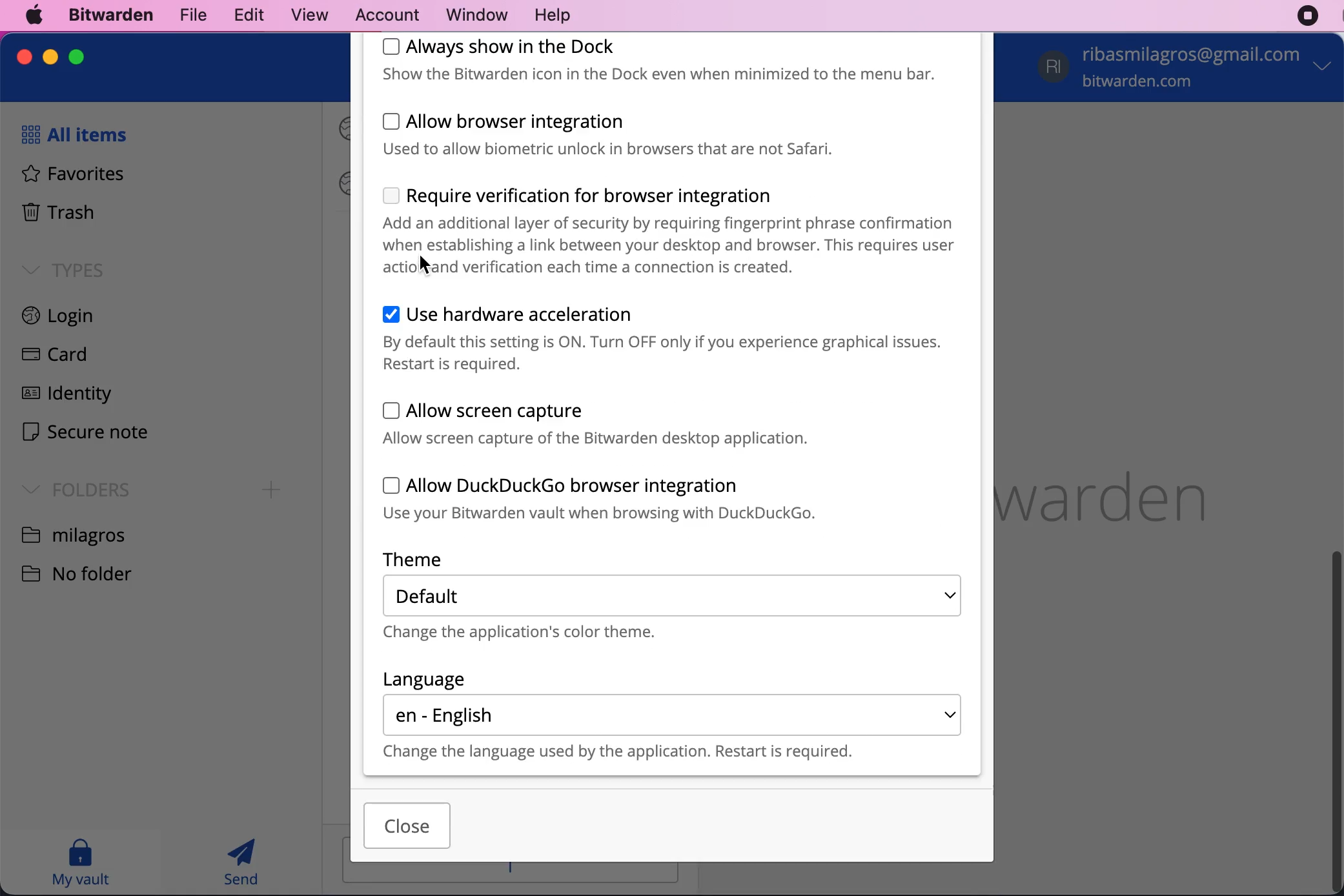 The width and height of the screenshot is (1344, 896). Describe the element at coordinates (1126, 491) in the screenshot. I see `bitwarden logo` at that location.